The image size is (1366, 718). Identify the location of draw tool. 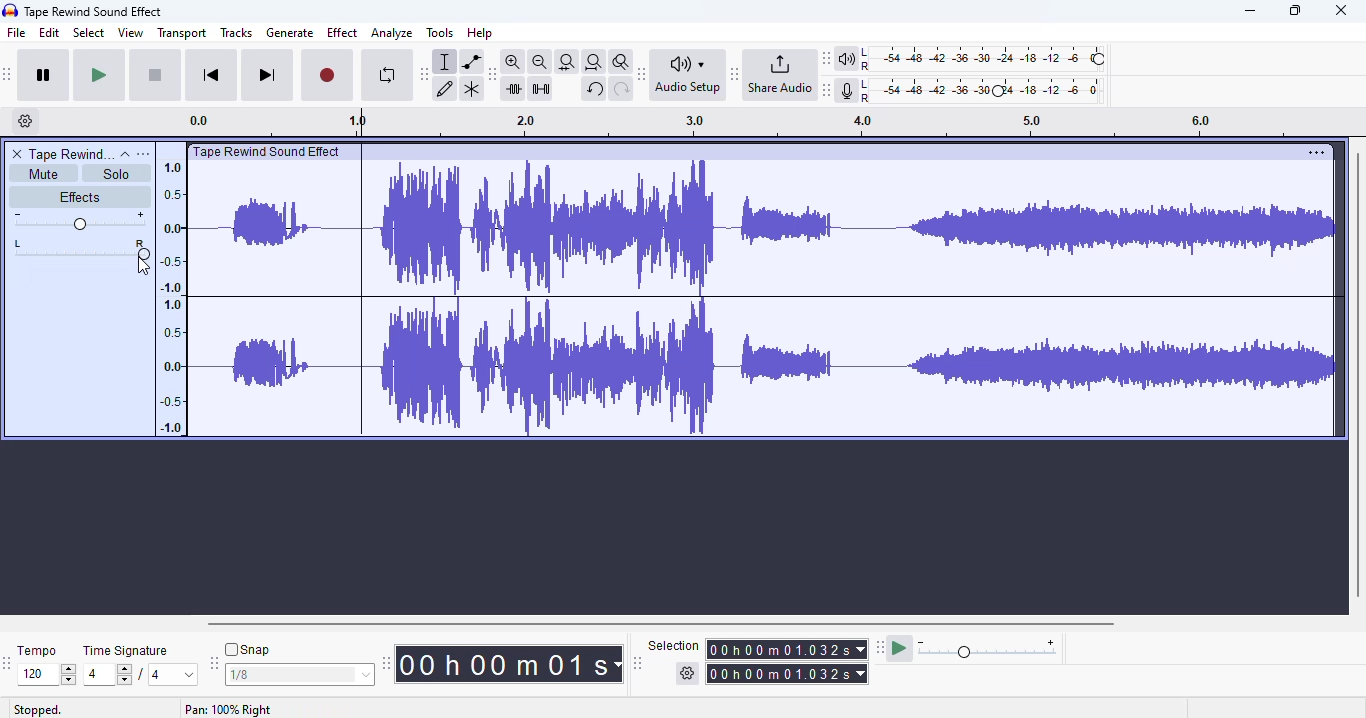
(445, 90).